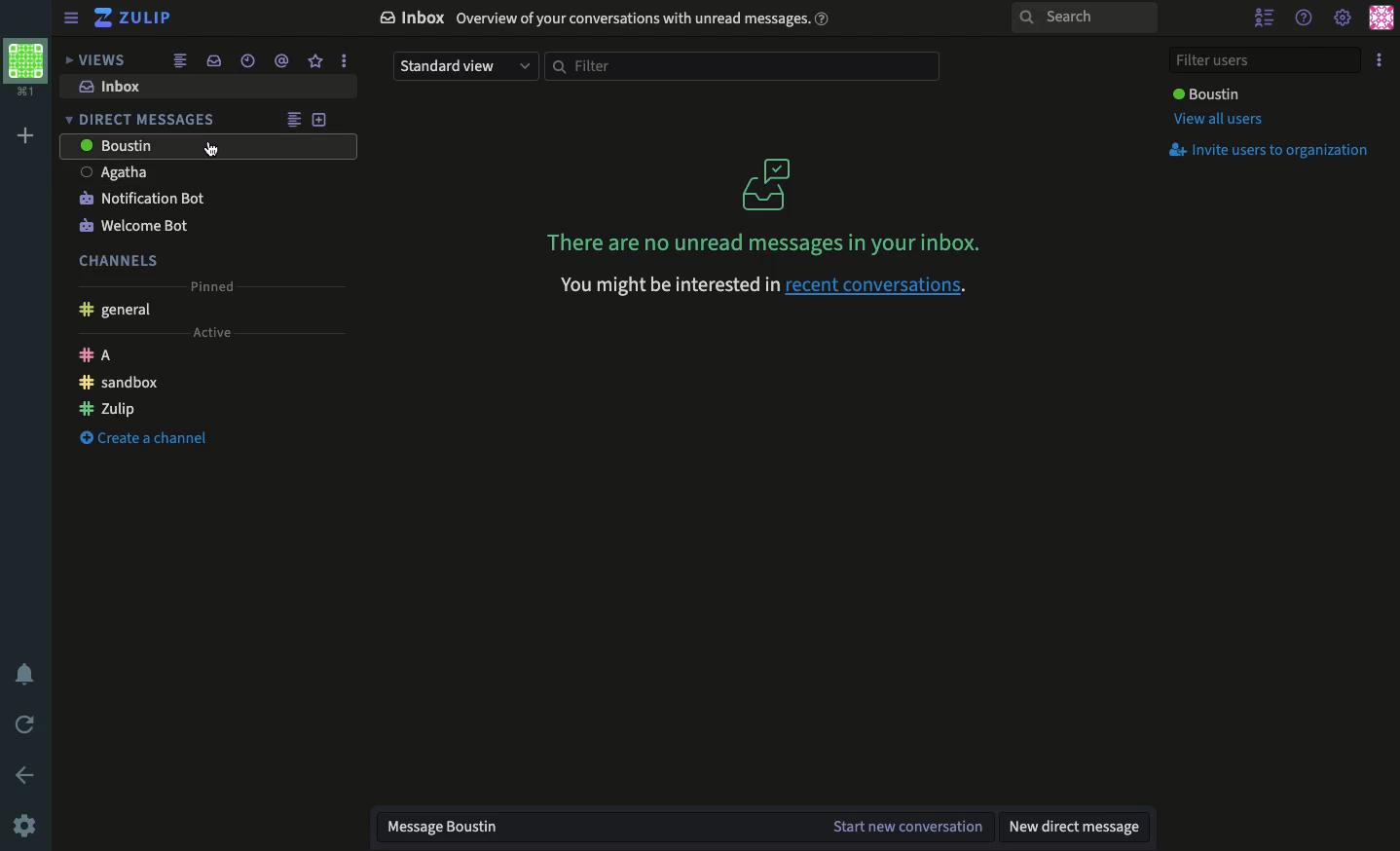  What do you see at coordinates (25, 675) in the screenshot?
I see `Notification` at bounding box center [25, 675].